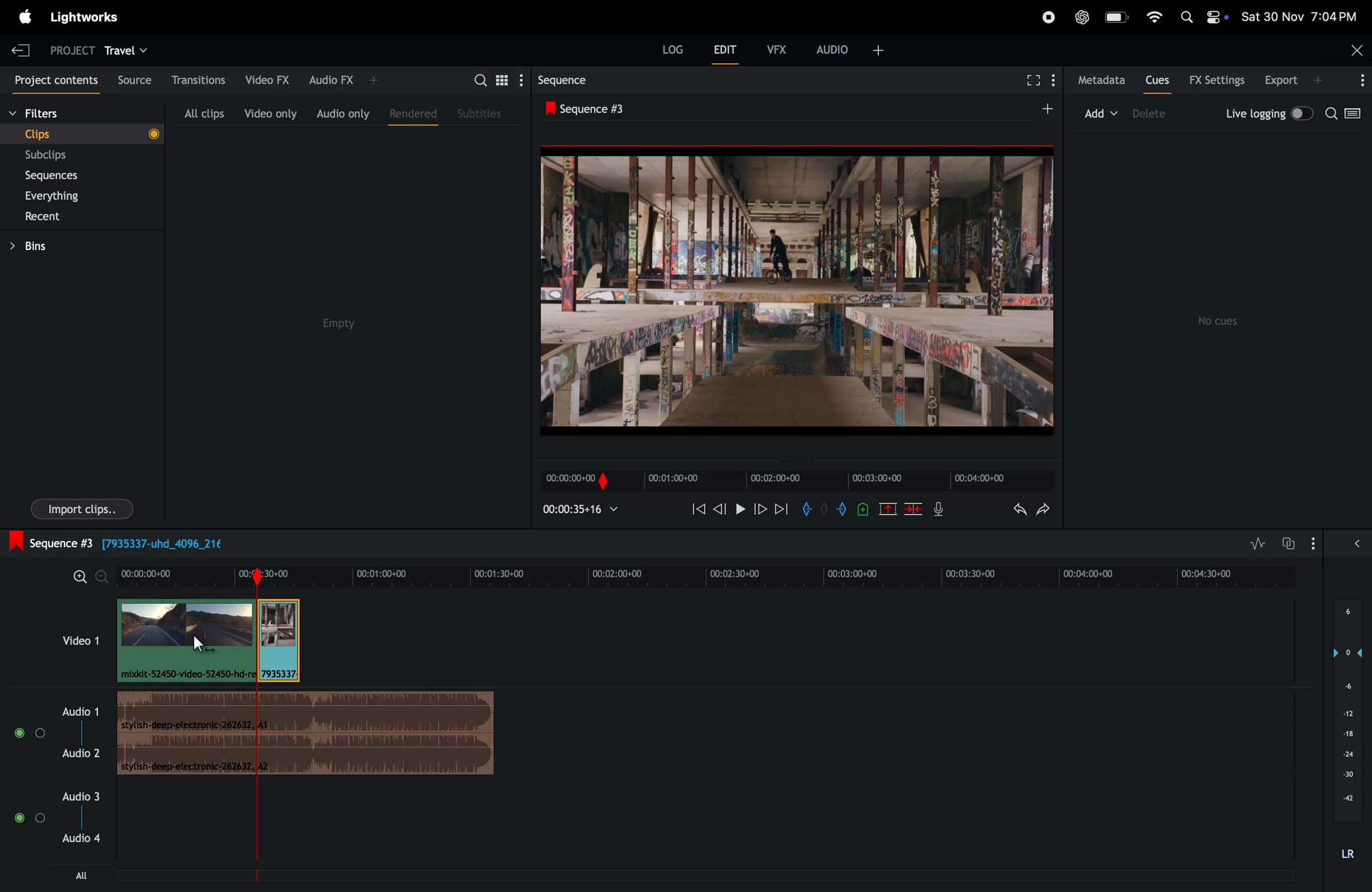 This screenshot has width=1372, height=892. What do you see at coordinates (194, 80) in the screenshot?
I see `transitions` at bounding box center [194, 80].